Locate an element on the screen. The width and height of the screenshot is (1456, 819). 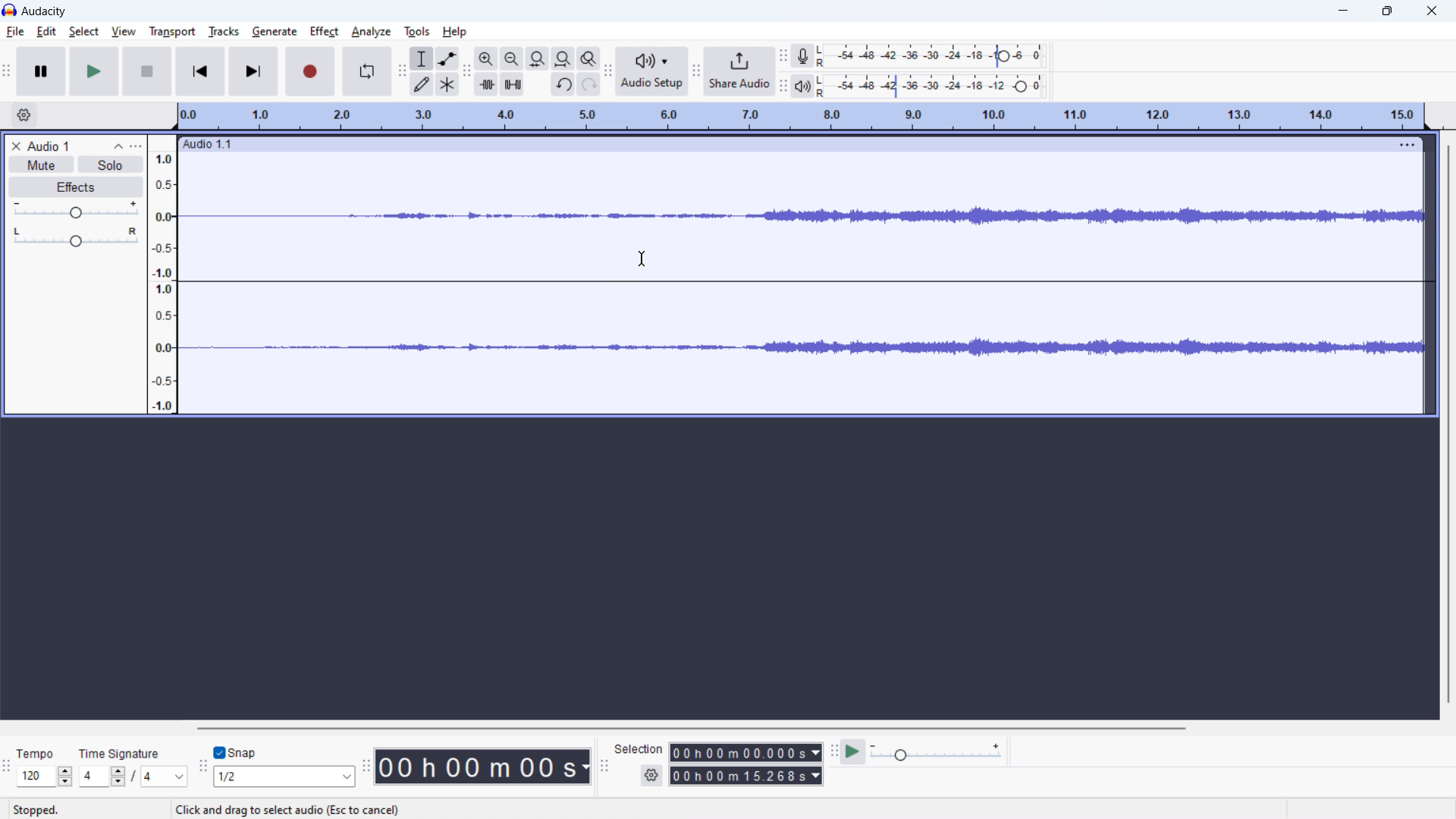
skip to last is located at coordinates (254, 72).